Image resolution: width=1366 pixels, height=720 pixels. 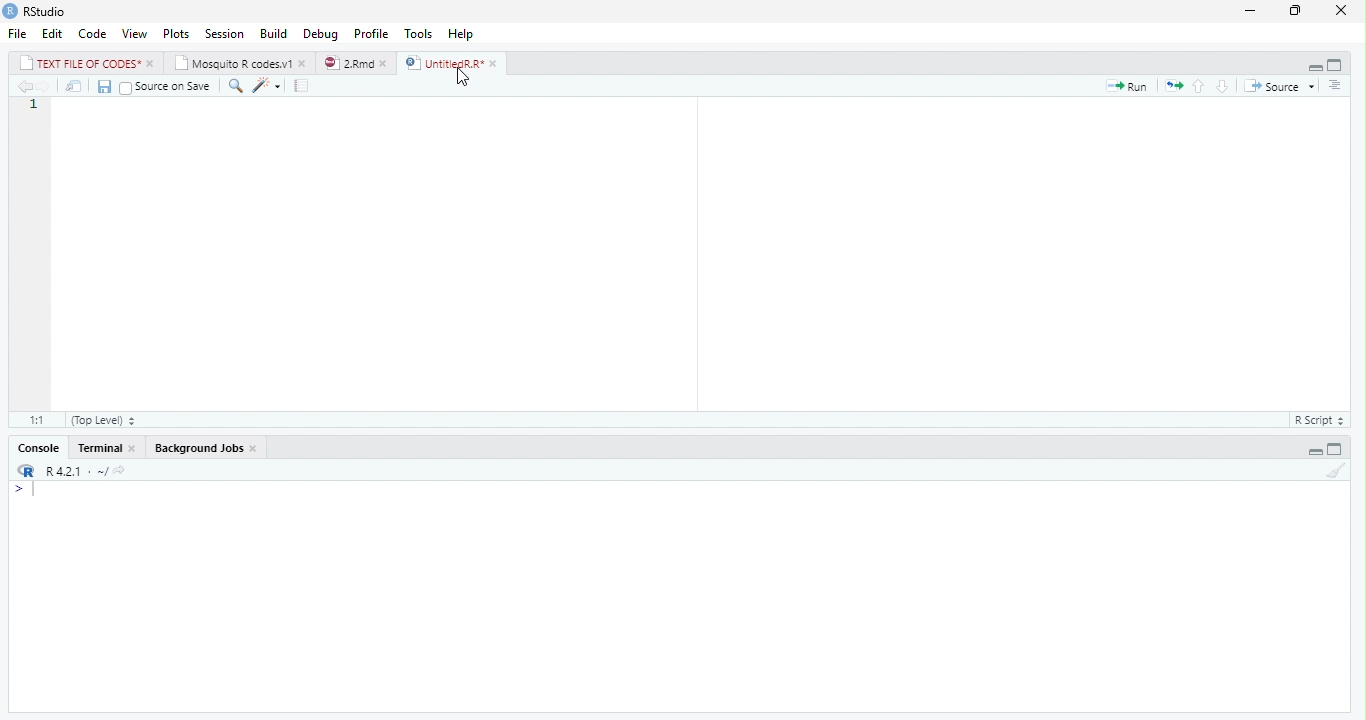 I want to click on Session, so click(x=224, y=33).